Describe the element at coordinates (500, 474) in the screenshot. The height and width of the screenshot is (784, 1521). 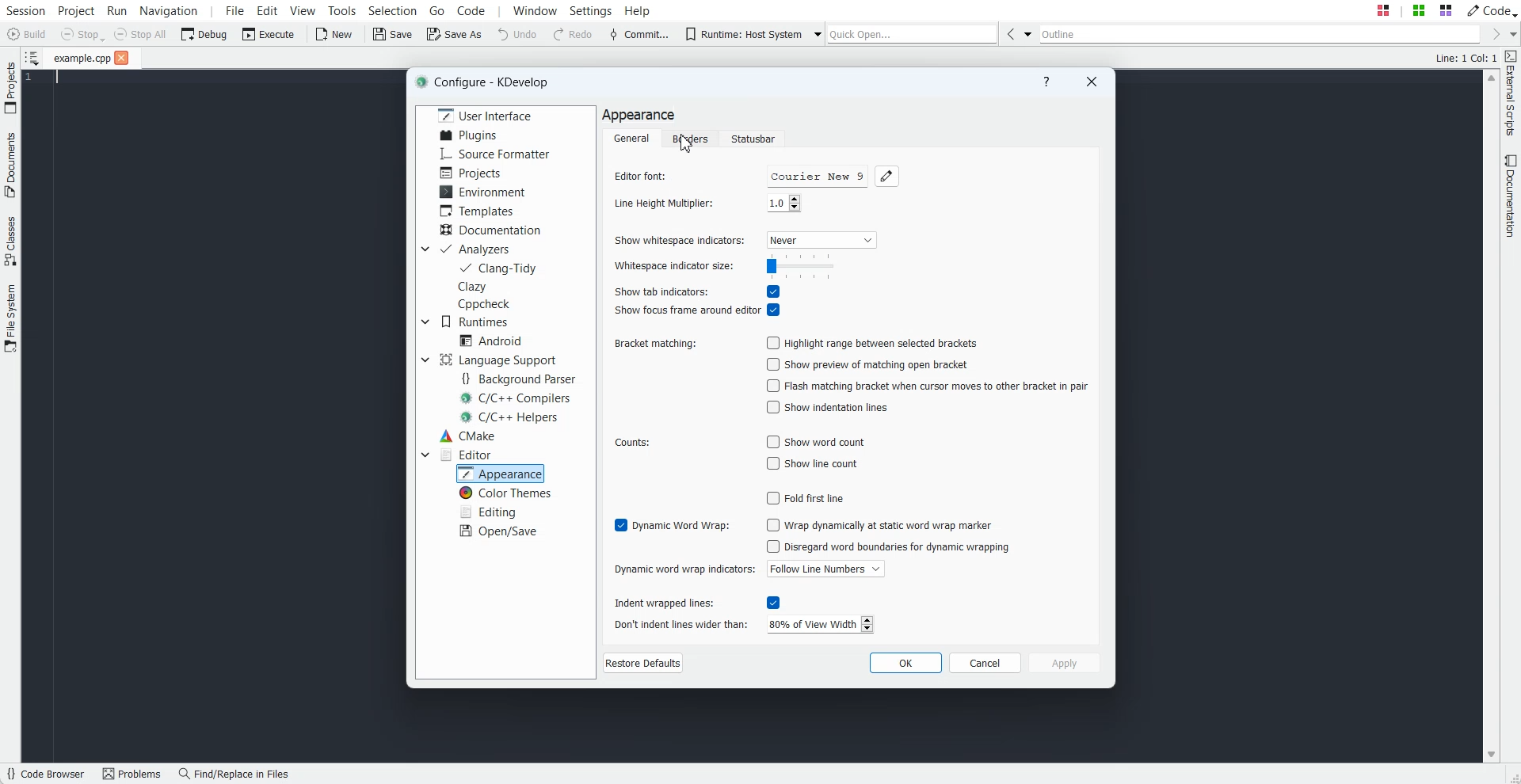
I see `Appearance selected` at that location.